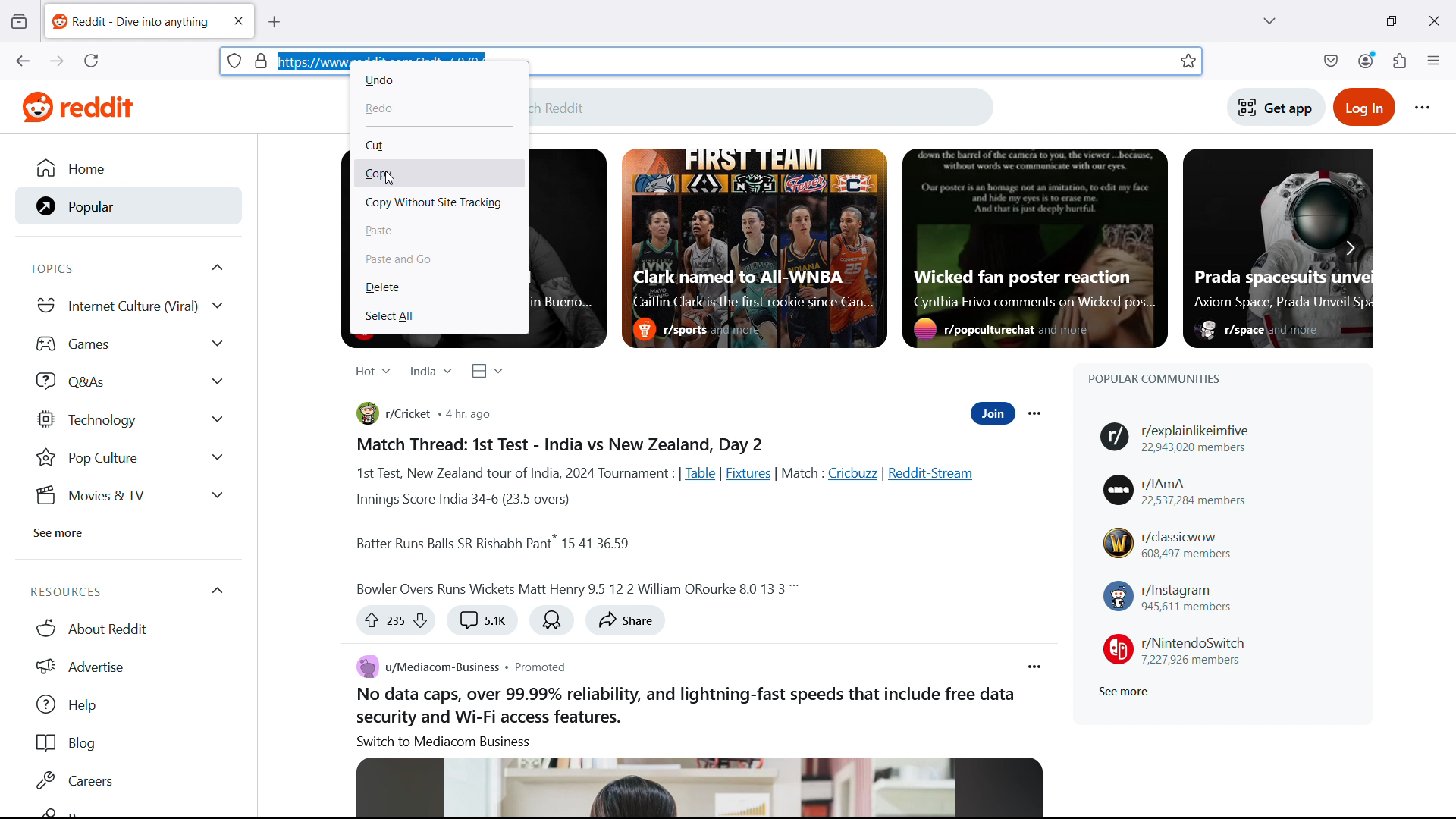  I want to click on undo, so click(439, 83).